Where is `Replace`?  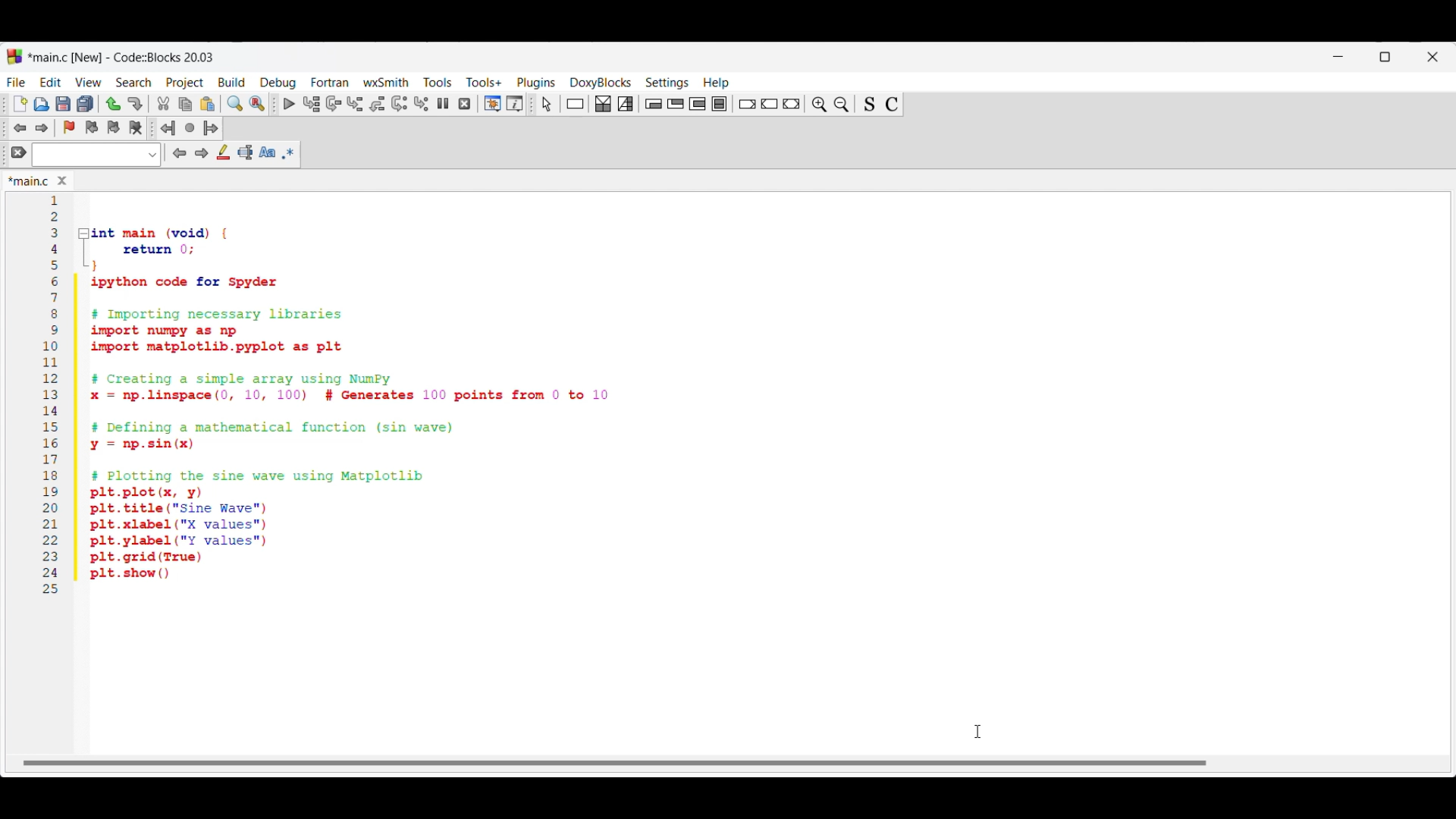
Replace is located at coordinates (257, 104).